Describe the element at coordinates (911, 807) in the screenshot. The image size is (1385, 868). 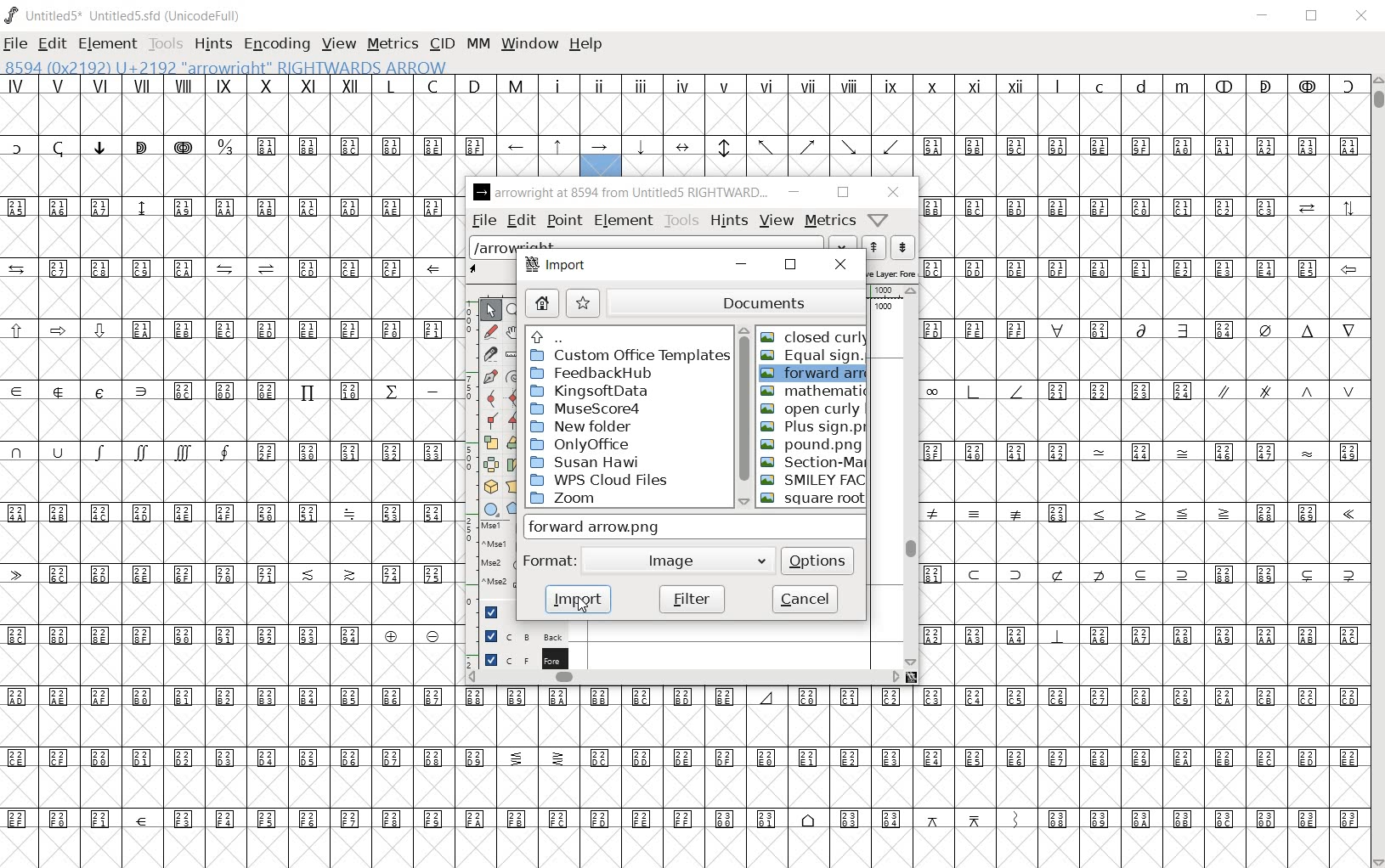
I see `glyph characters` at that location.